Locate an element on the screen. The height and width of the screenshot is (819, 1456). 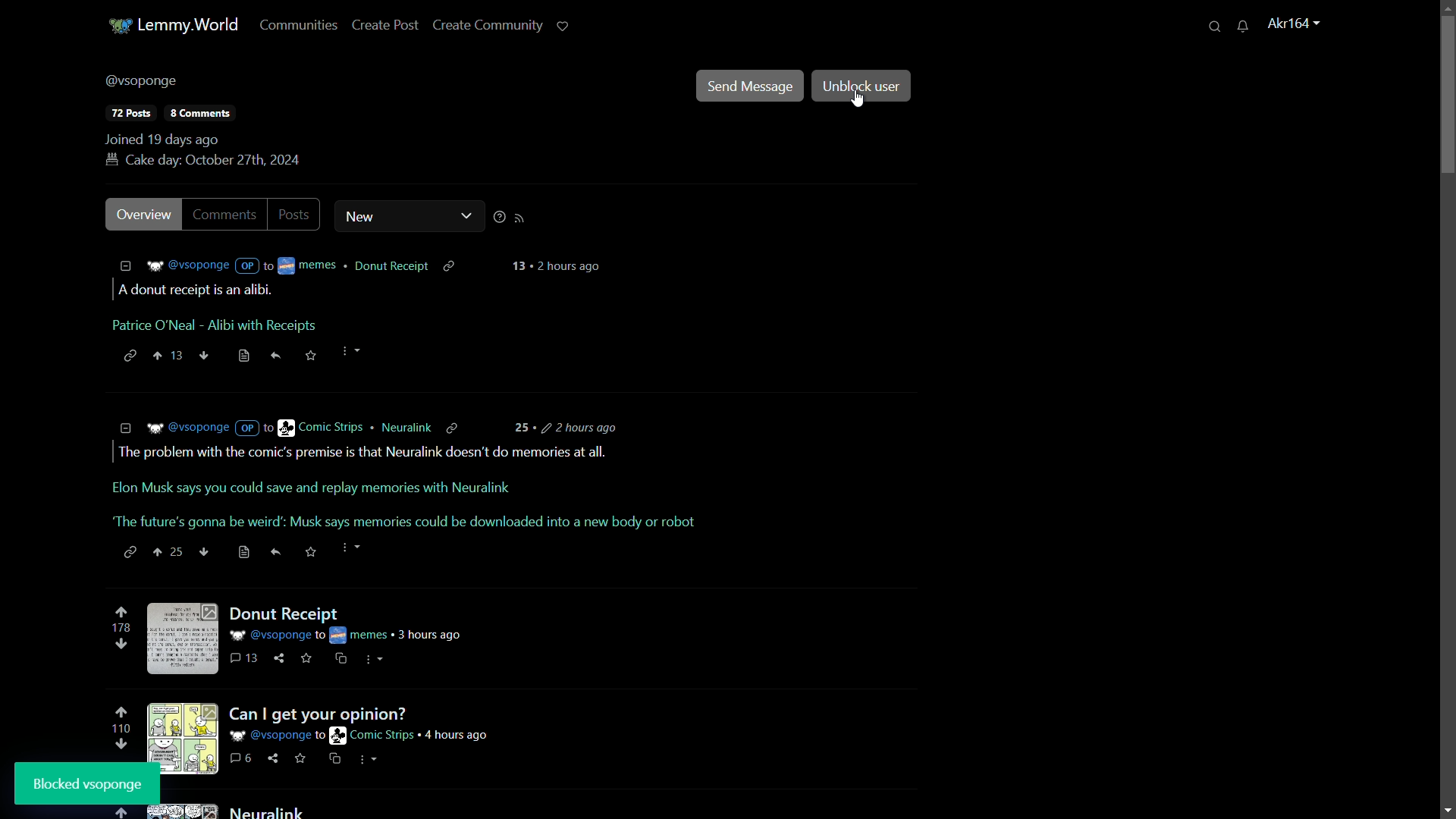
cs is located at coordinates (339, 661).